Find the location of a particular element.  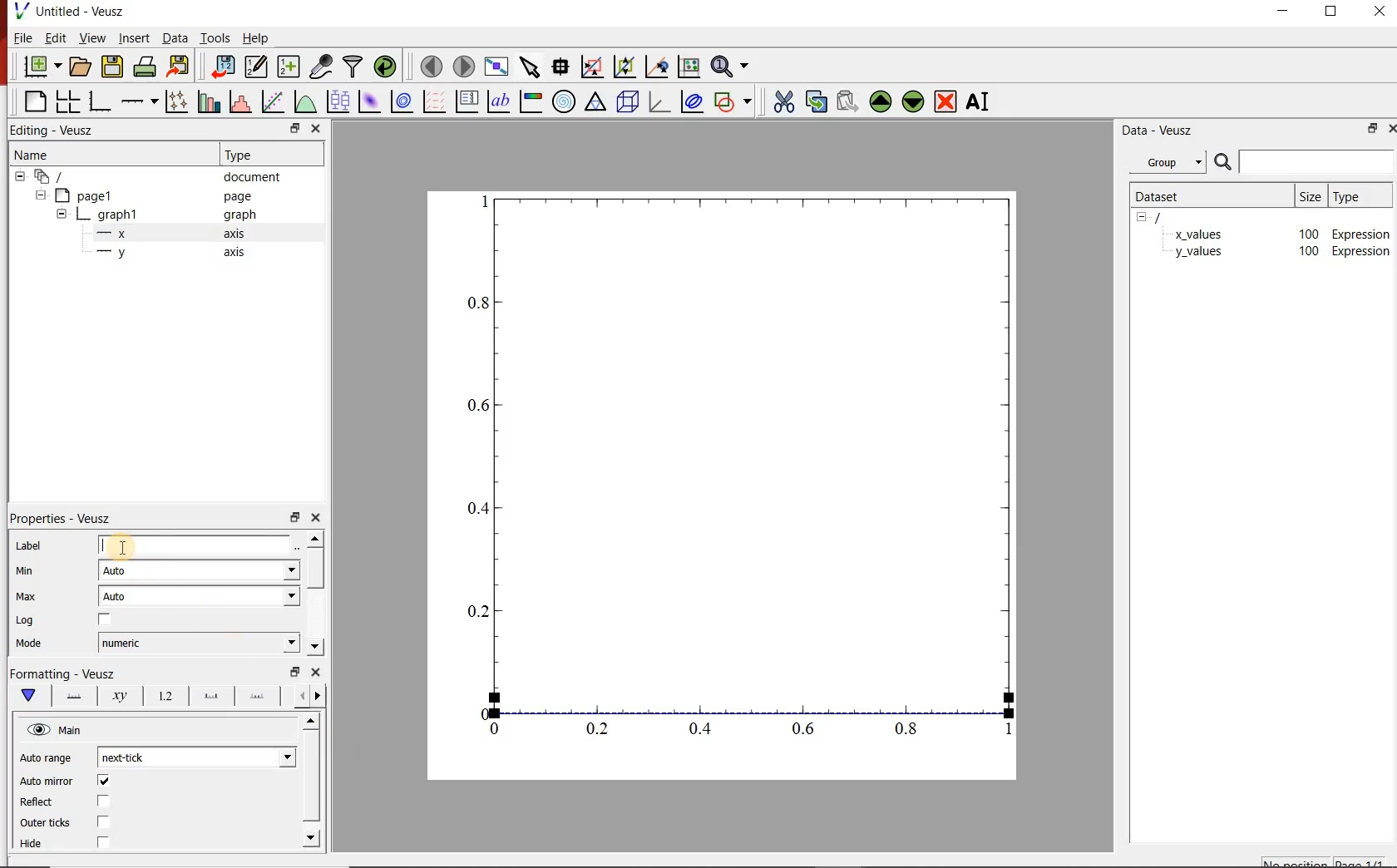

file is located at coordinates (24, 37).